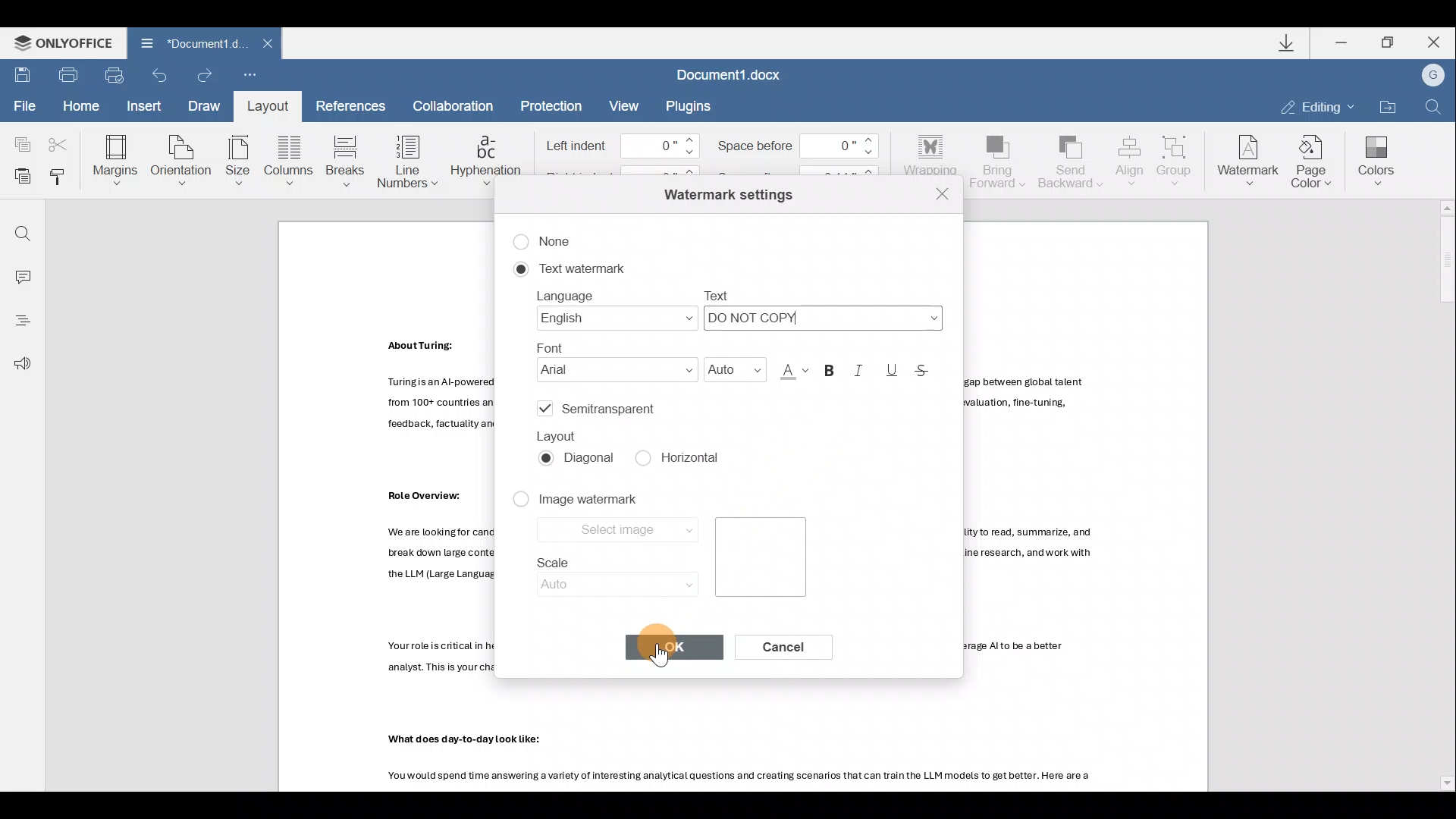  What do you see at coordinates (1292, 45) in the screenshot?
I see `Downloads` at bounding box center [1292, 45].